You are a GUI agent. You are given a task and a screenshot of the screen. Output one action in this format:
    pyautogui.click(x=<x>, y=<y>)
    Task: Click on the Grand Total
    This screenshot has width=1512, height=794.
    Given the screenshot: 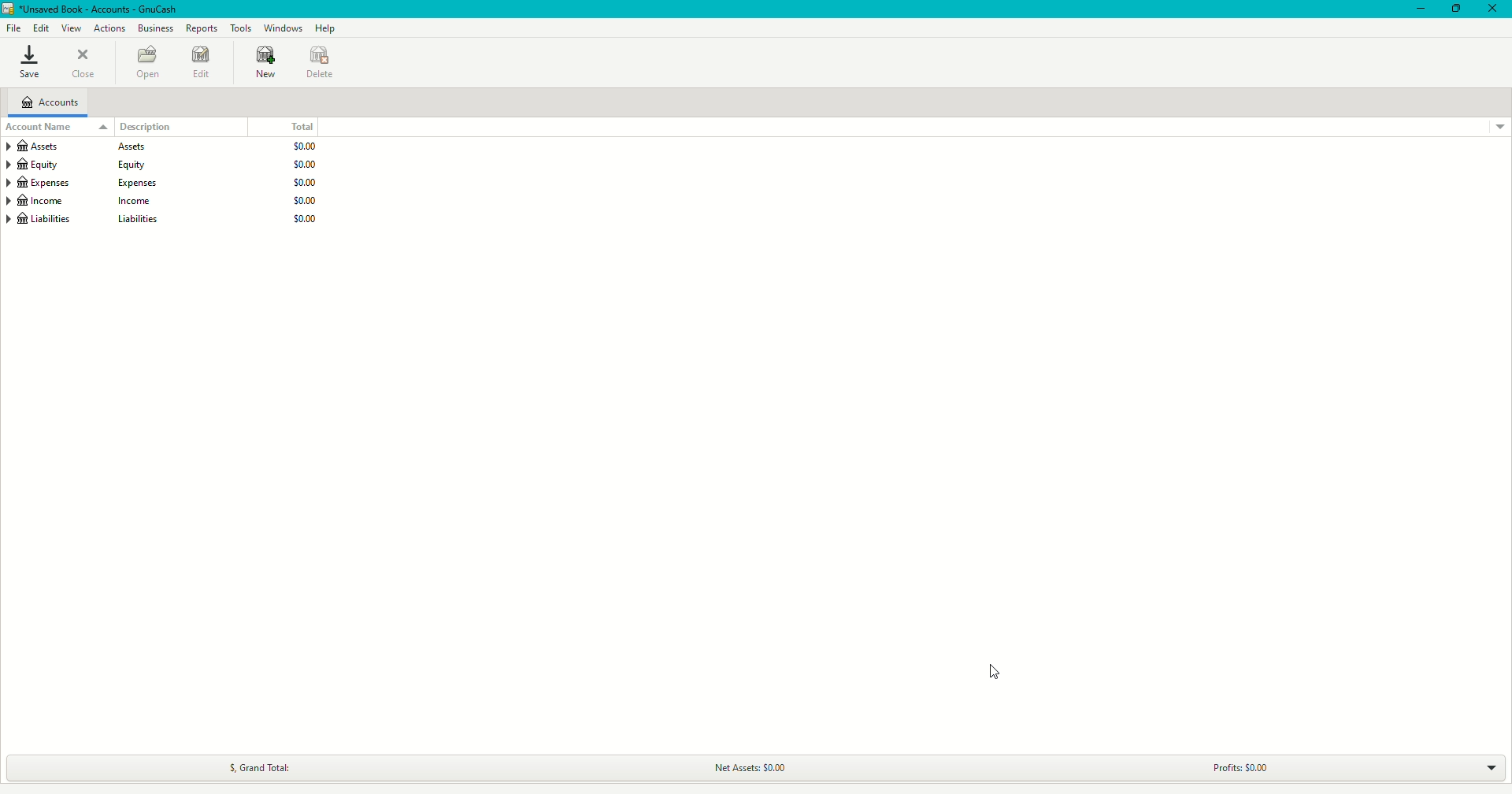 What is the action you would take?
    pyautogui.click(x=265, y=765)
    